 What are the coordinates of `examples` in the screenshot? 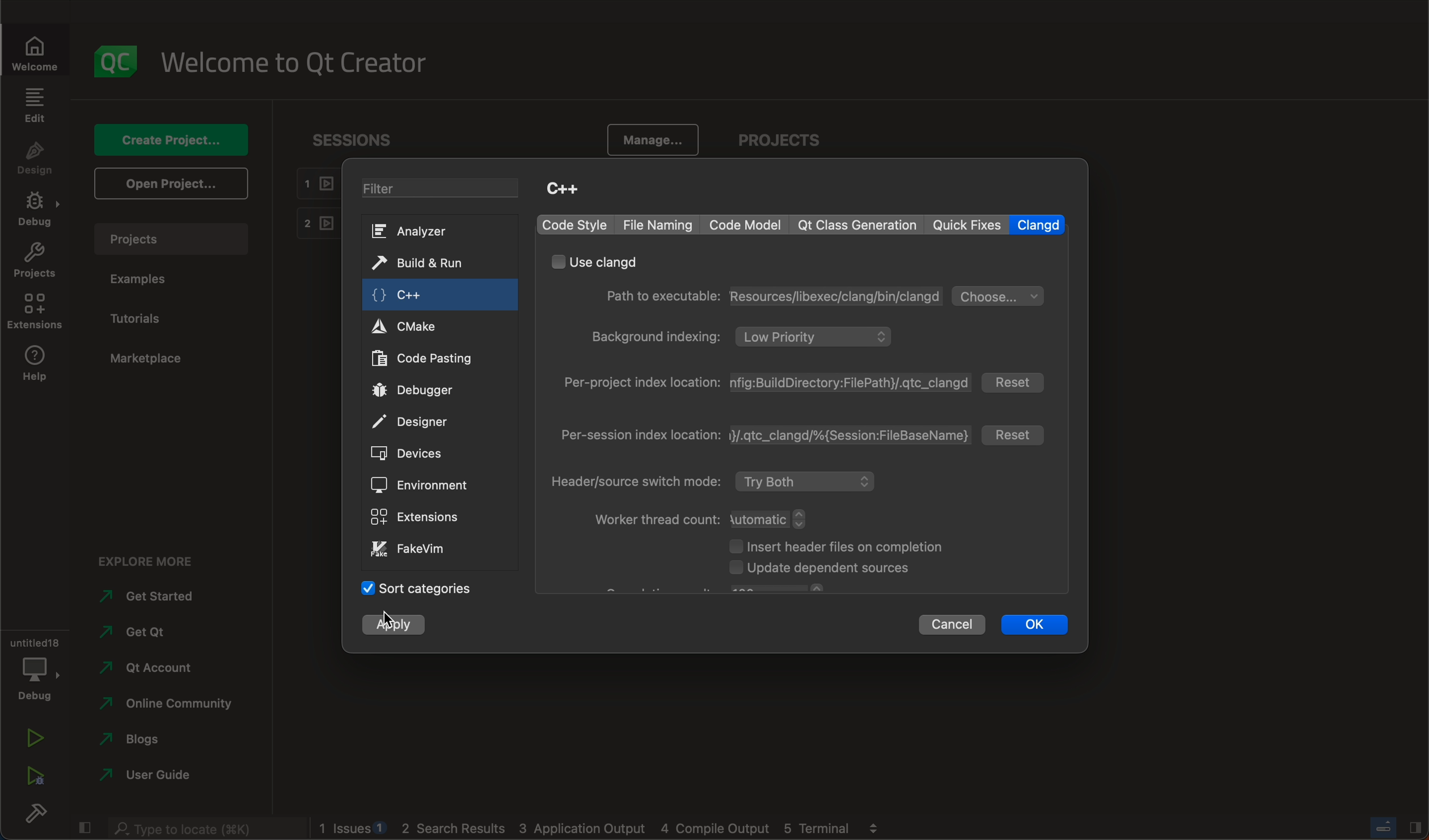 It's located at (159, 280).